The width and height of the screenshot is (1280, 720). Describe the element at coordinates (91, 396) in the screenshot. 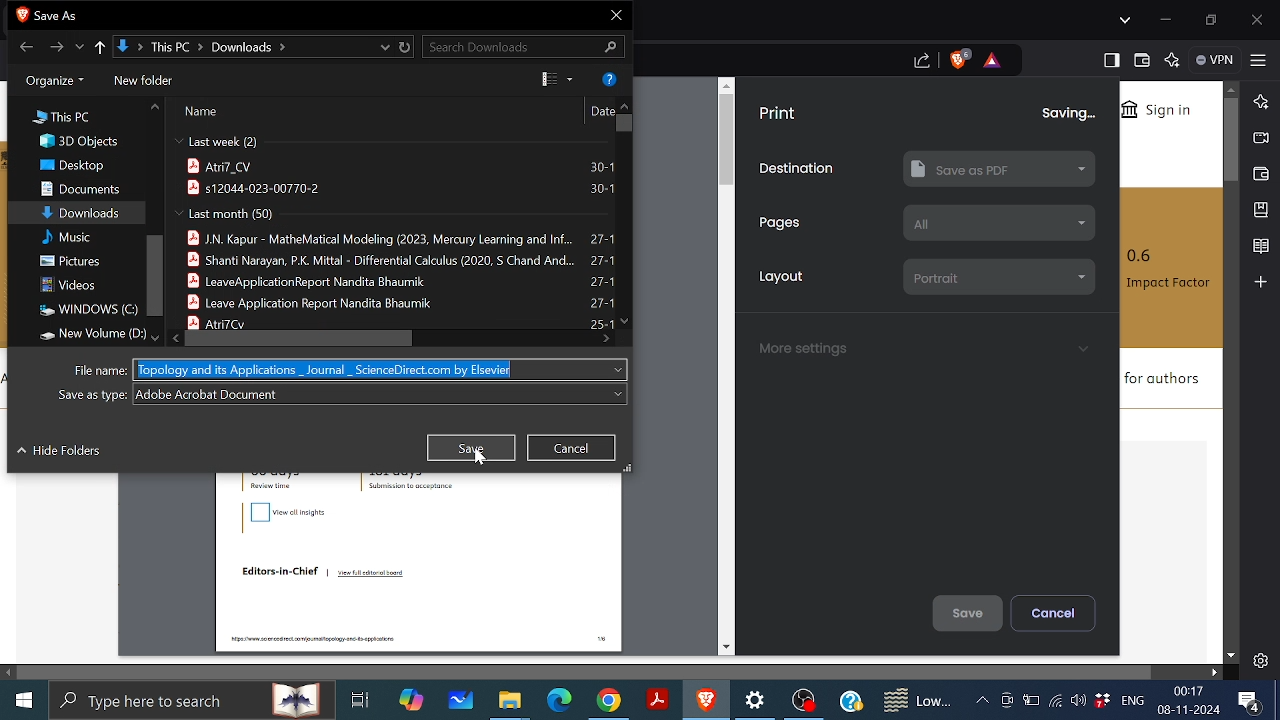

I see `Save as type` at that location.